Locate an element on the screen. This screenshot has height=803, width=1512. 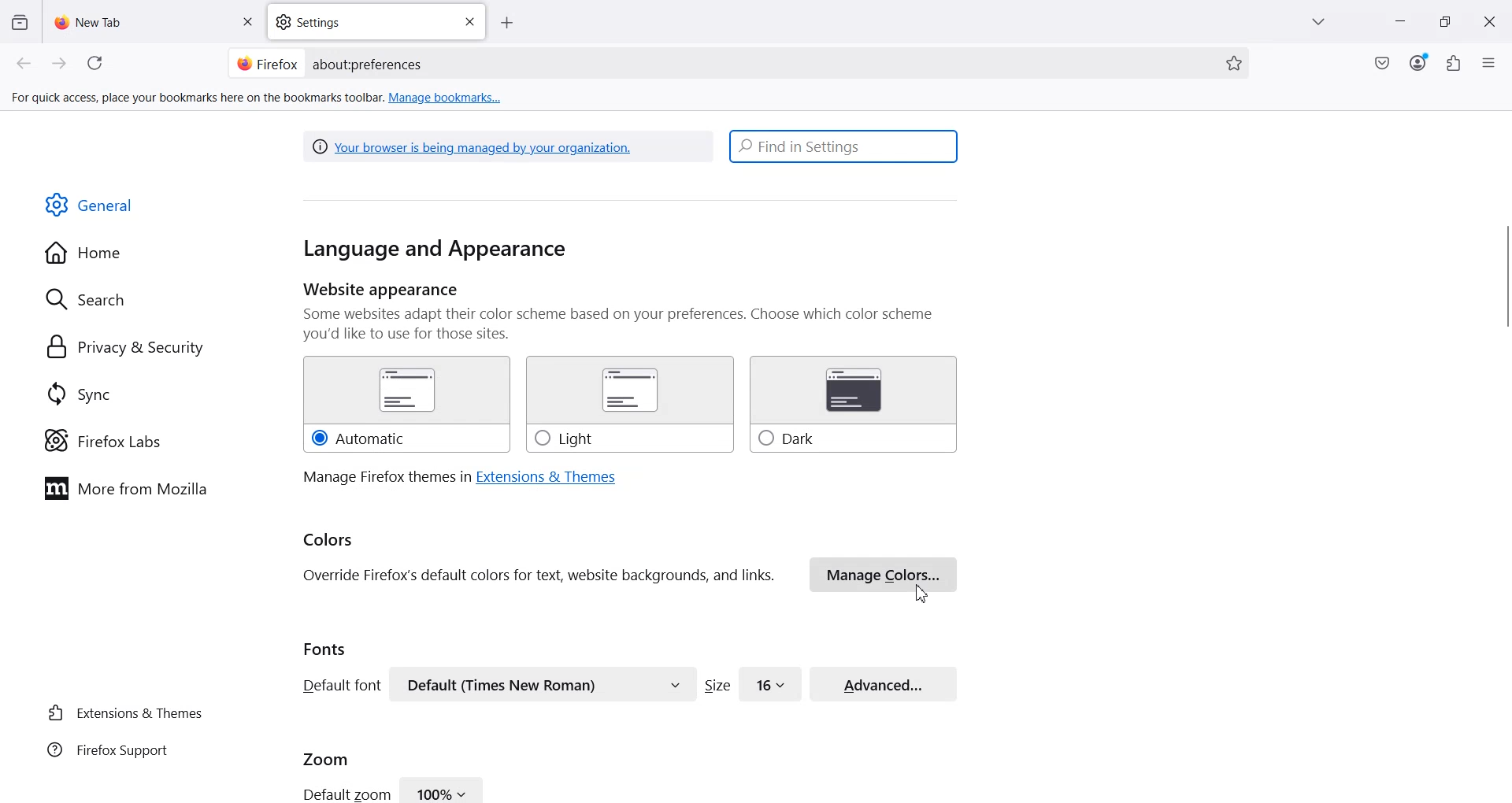
DropDown Box is located at coordinates (1322, 22).